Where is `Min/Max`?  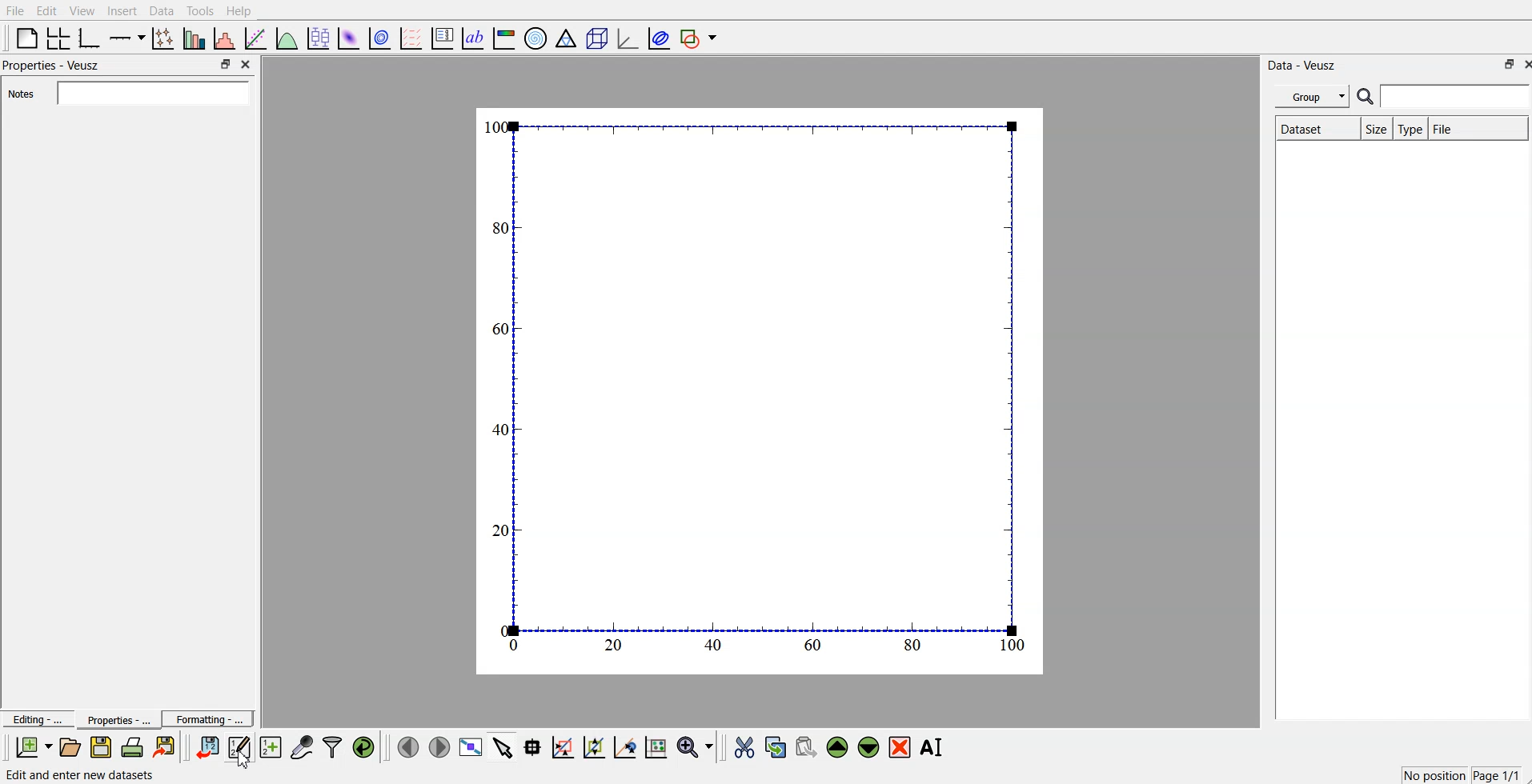
Min/Max is located at coordinates (1507, 64).